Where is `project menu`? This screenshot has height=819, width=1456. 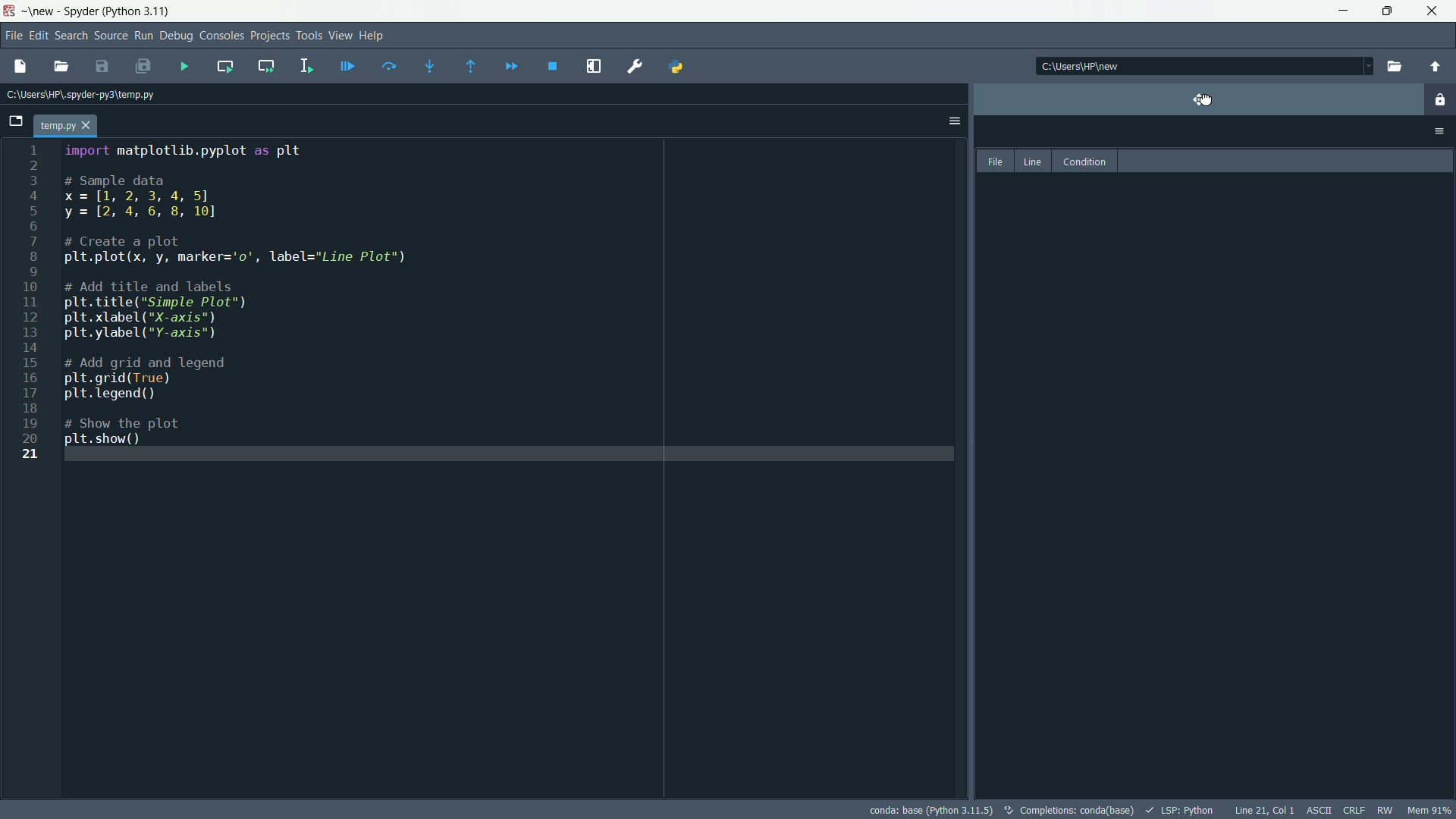 project menu is located at coordinates (268, 33).